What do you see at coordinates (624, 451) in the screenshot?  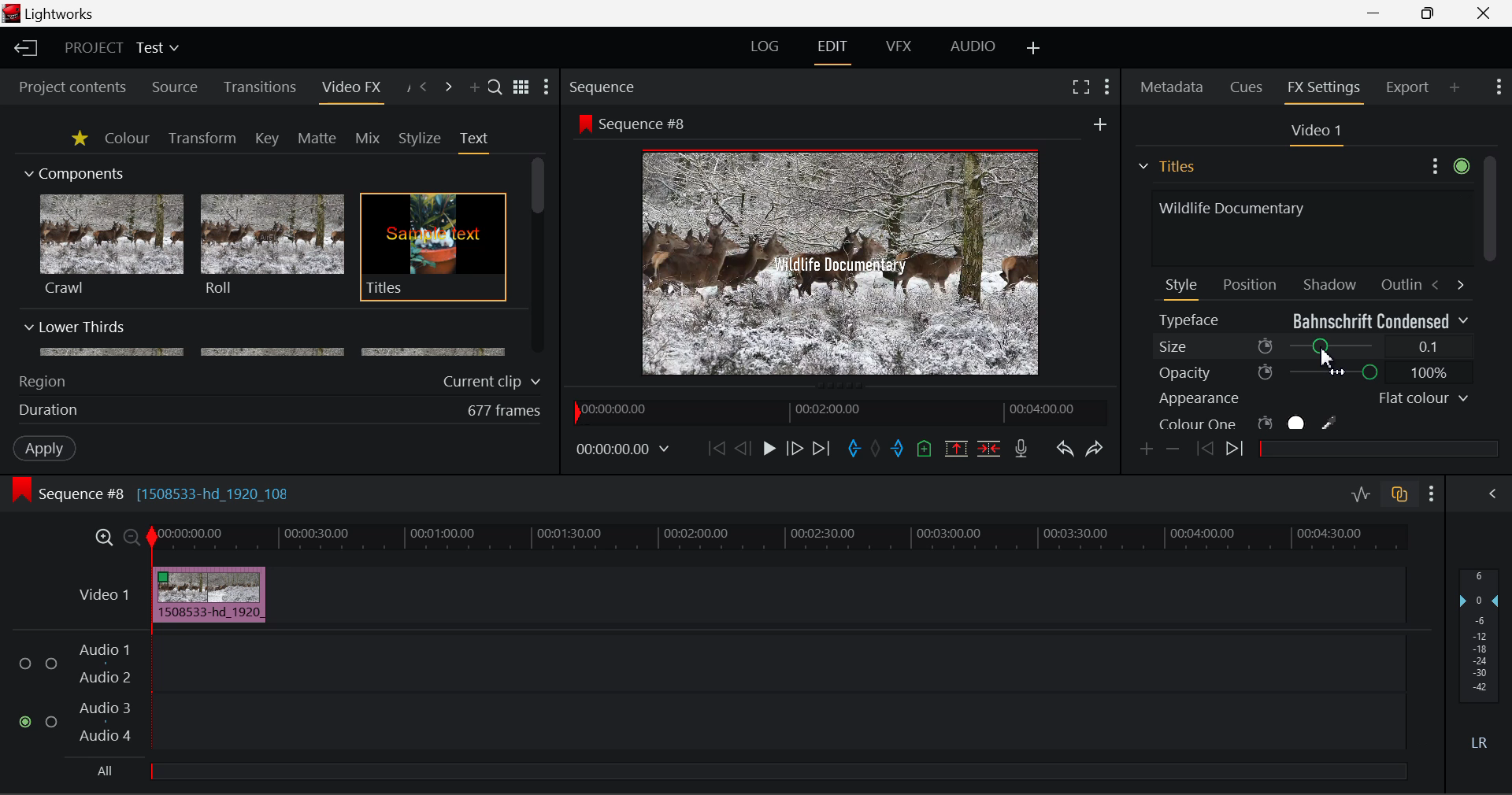 I see `Frame Time` at bounding box center [624, 451].